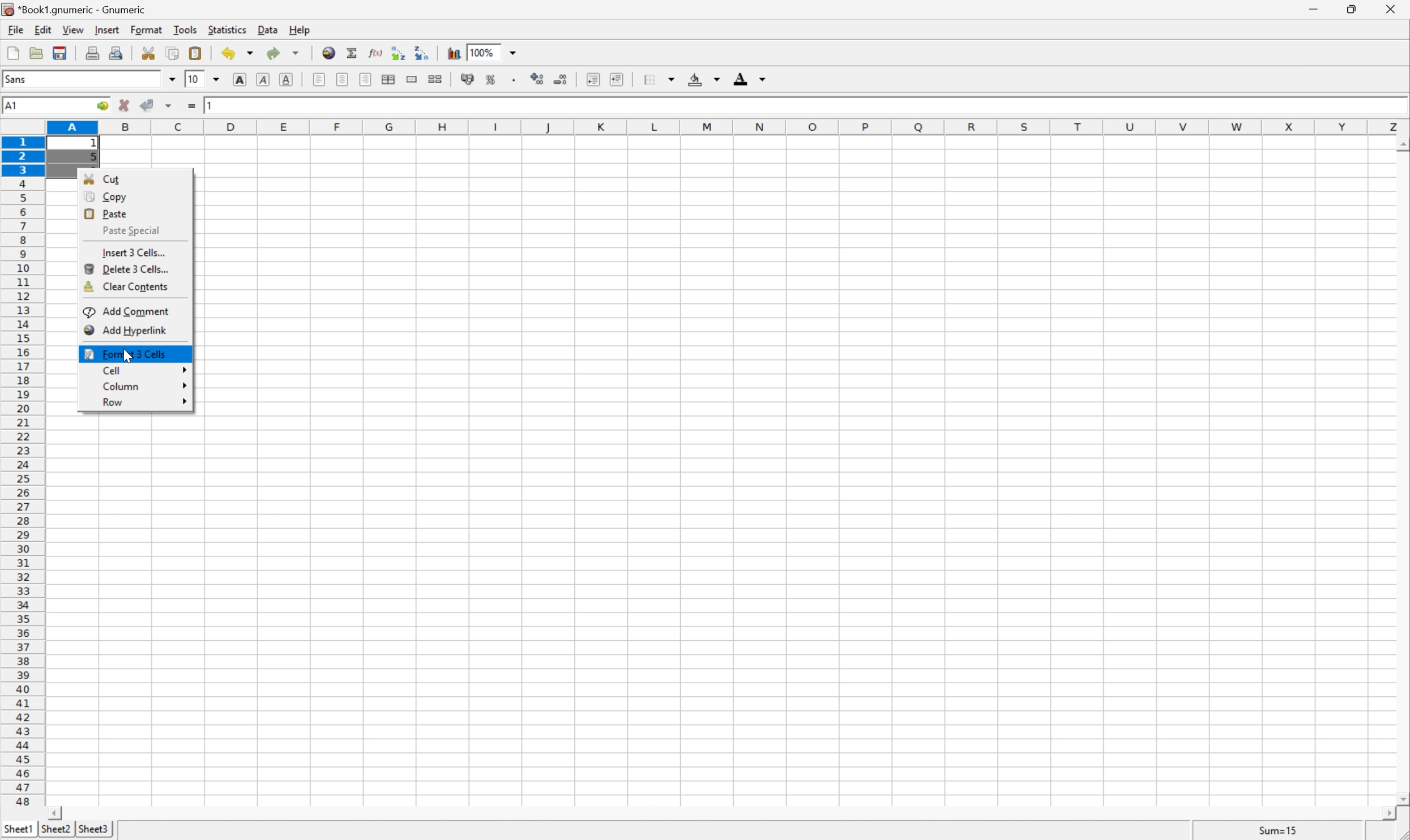 The image size is (1410, 840). I want to click on align left, so click(320, 79).